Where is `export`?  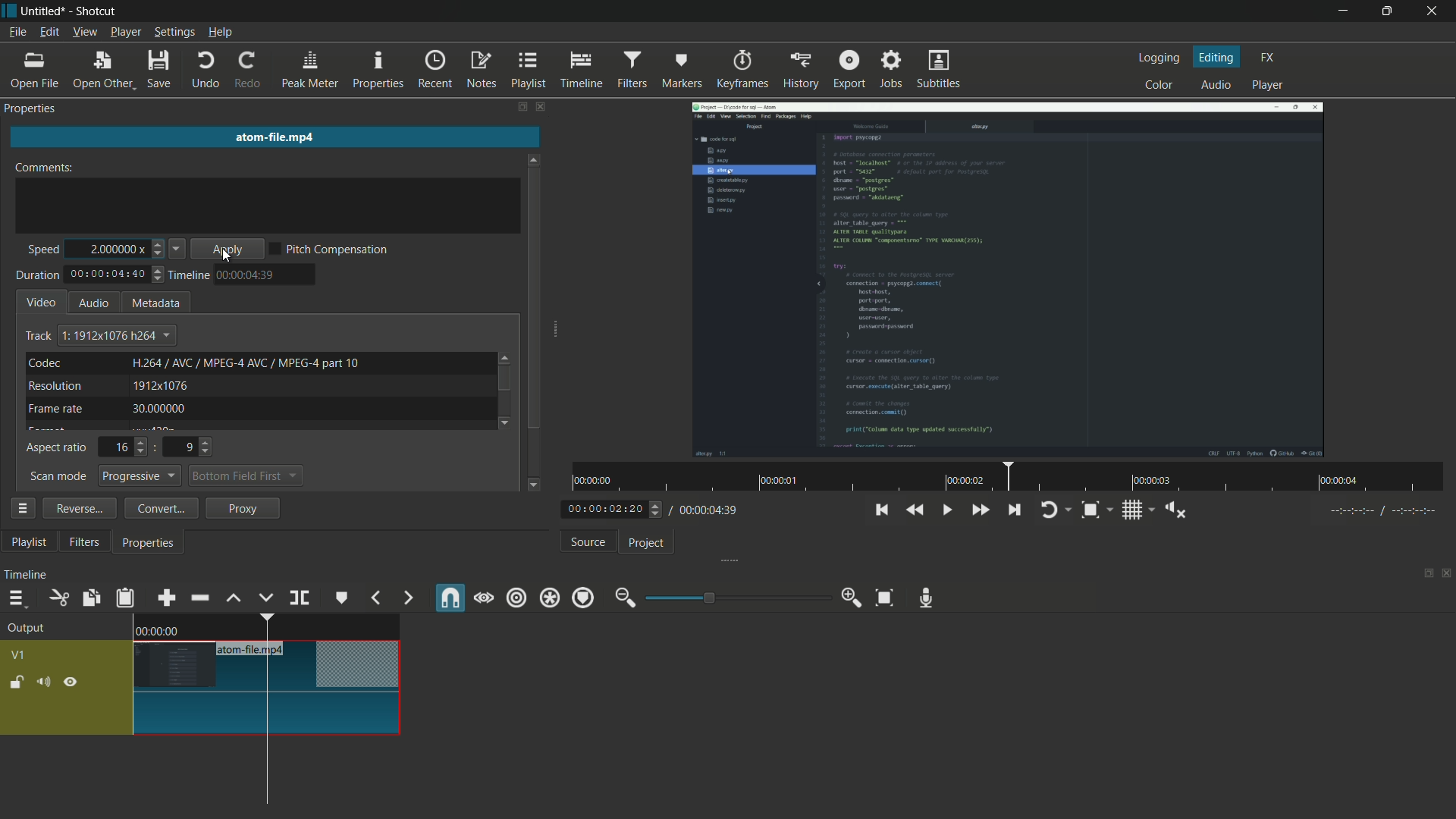 export is located at coordinates (850, 70).